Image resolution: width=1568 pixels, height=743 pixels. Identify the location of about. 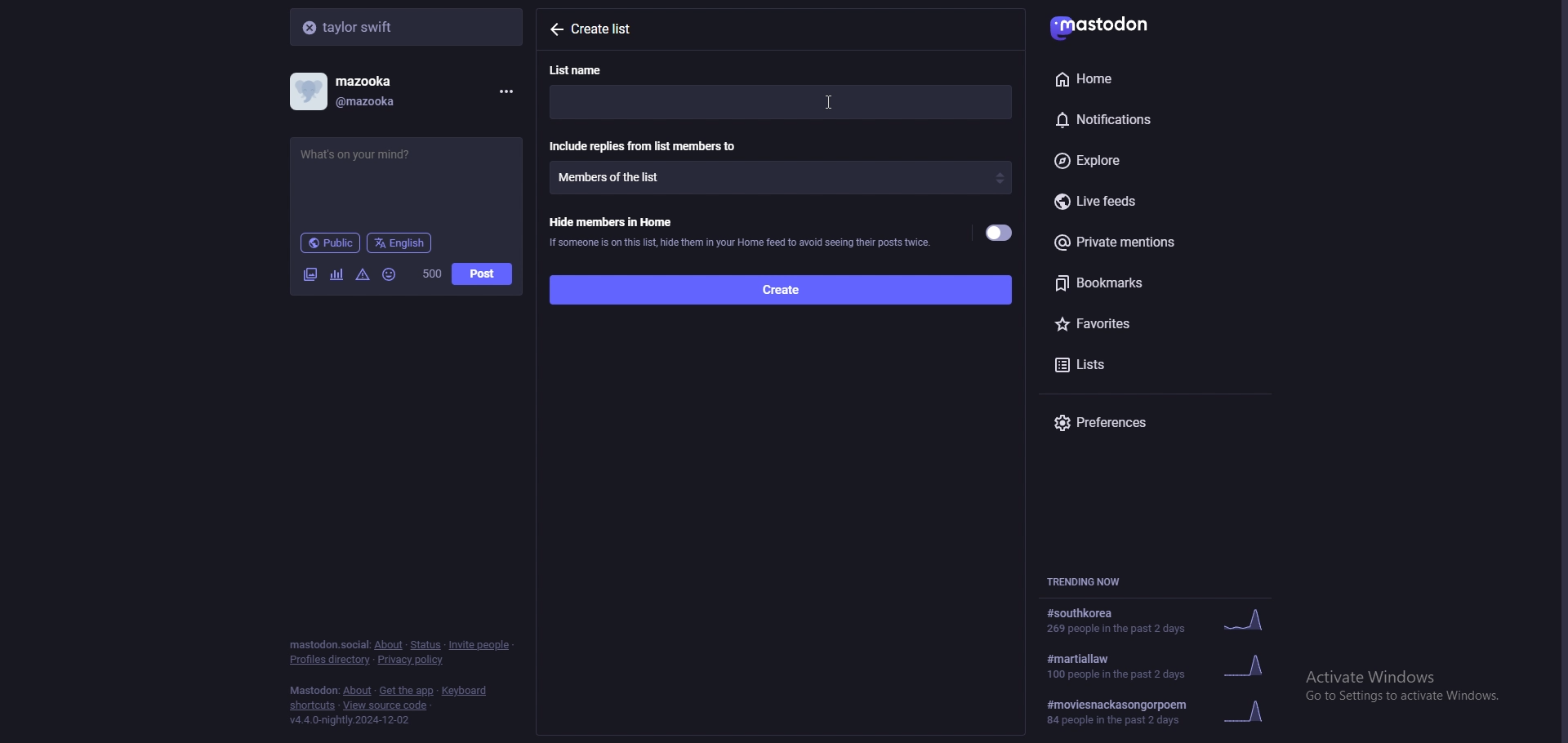
(359, 692).